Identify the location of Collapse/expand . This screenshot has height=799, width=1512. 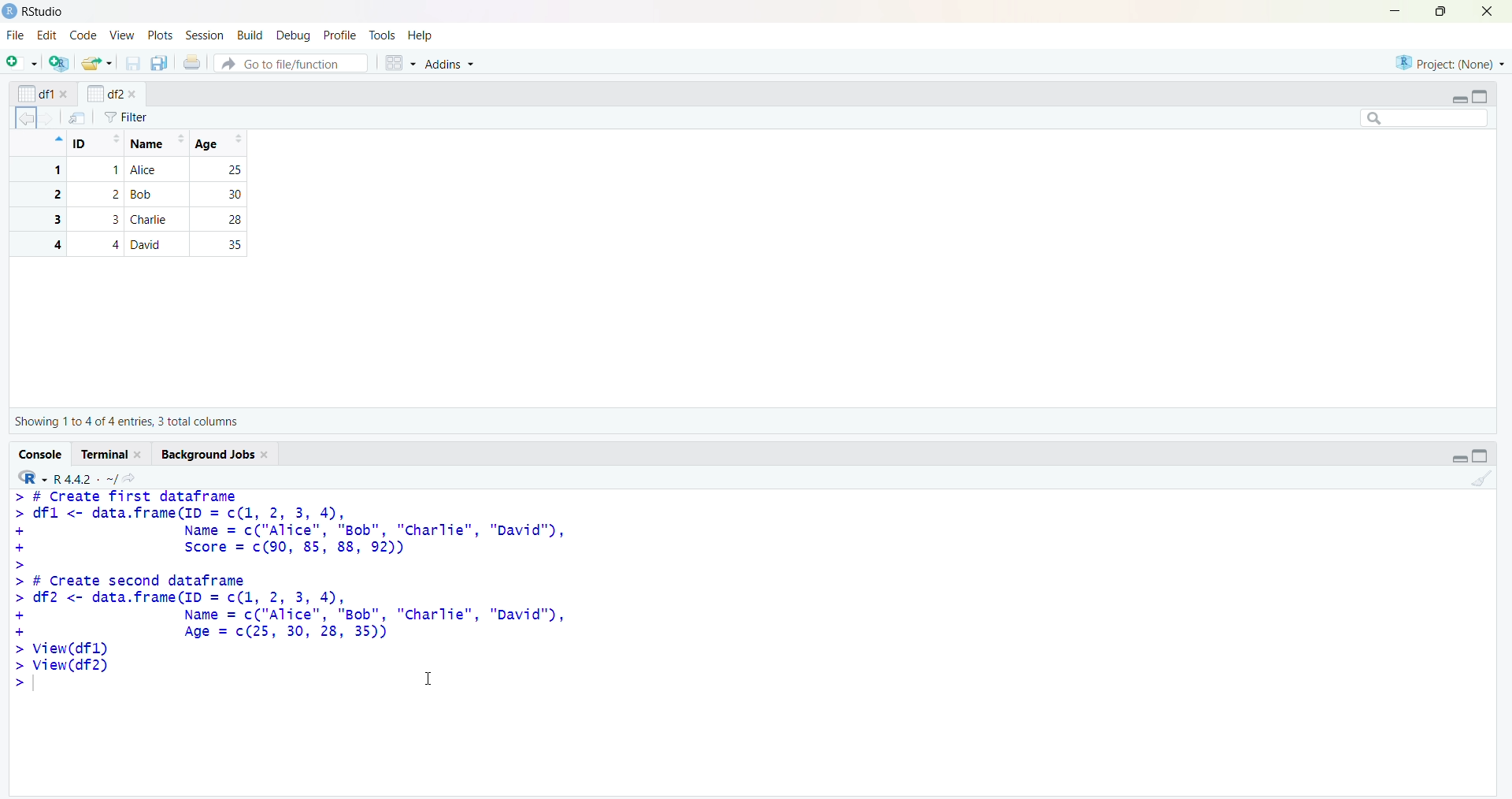
(1459, 459).